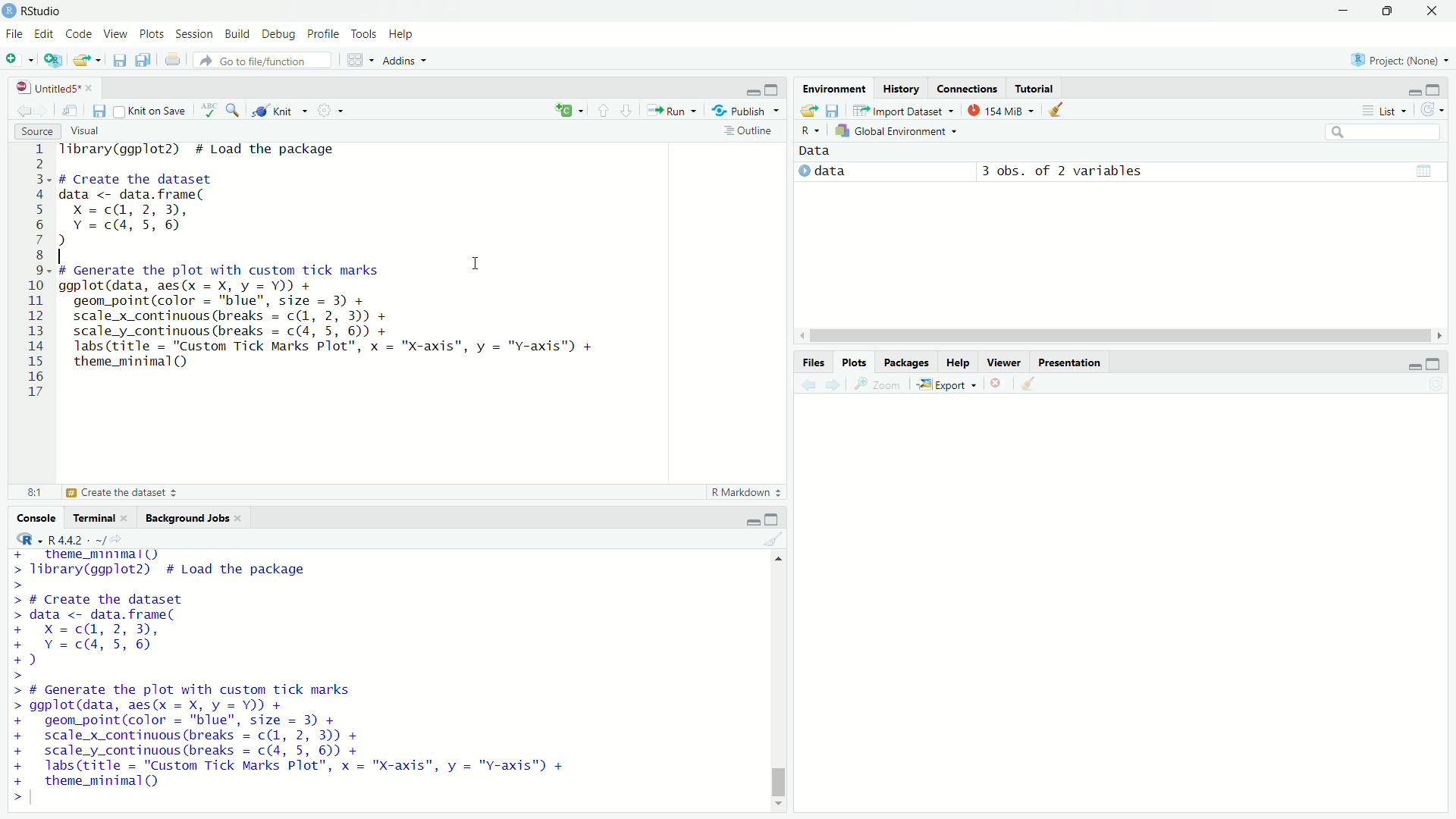 This screenshot has height=819, width=1456. I want to click on insert a code chunk, so click(568, 108).